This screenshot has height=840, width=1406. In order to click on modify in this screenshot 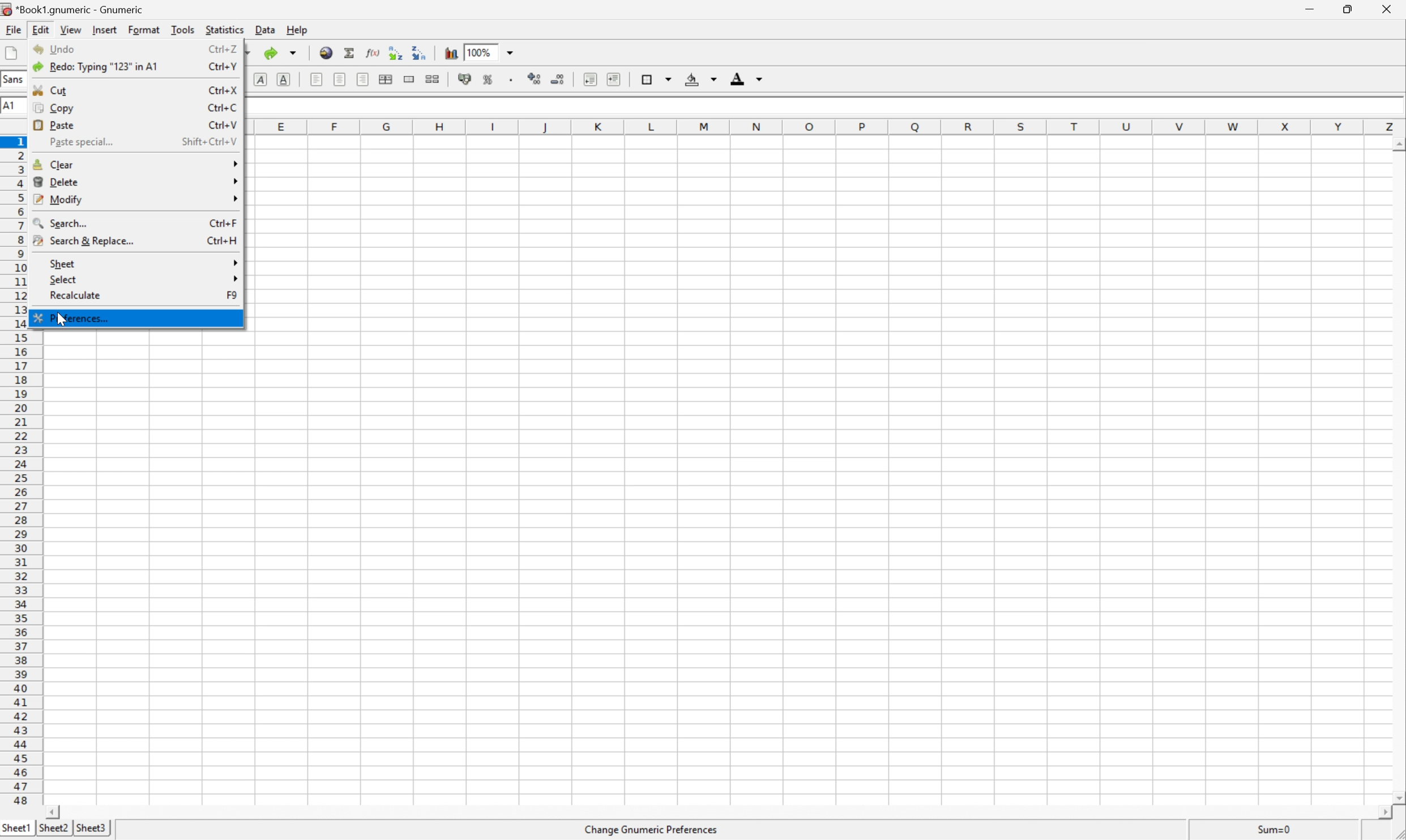, I will do `click(136, 199)`.